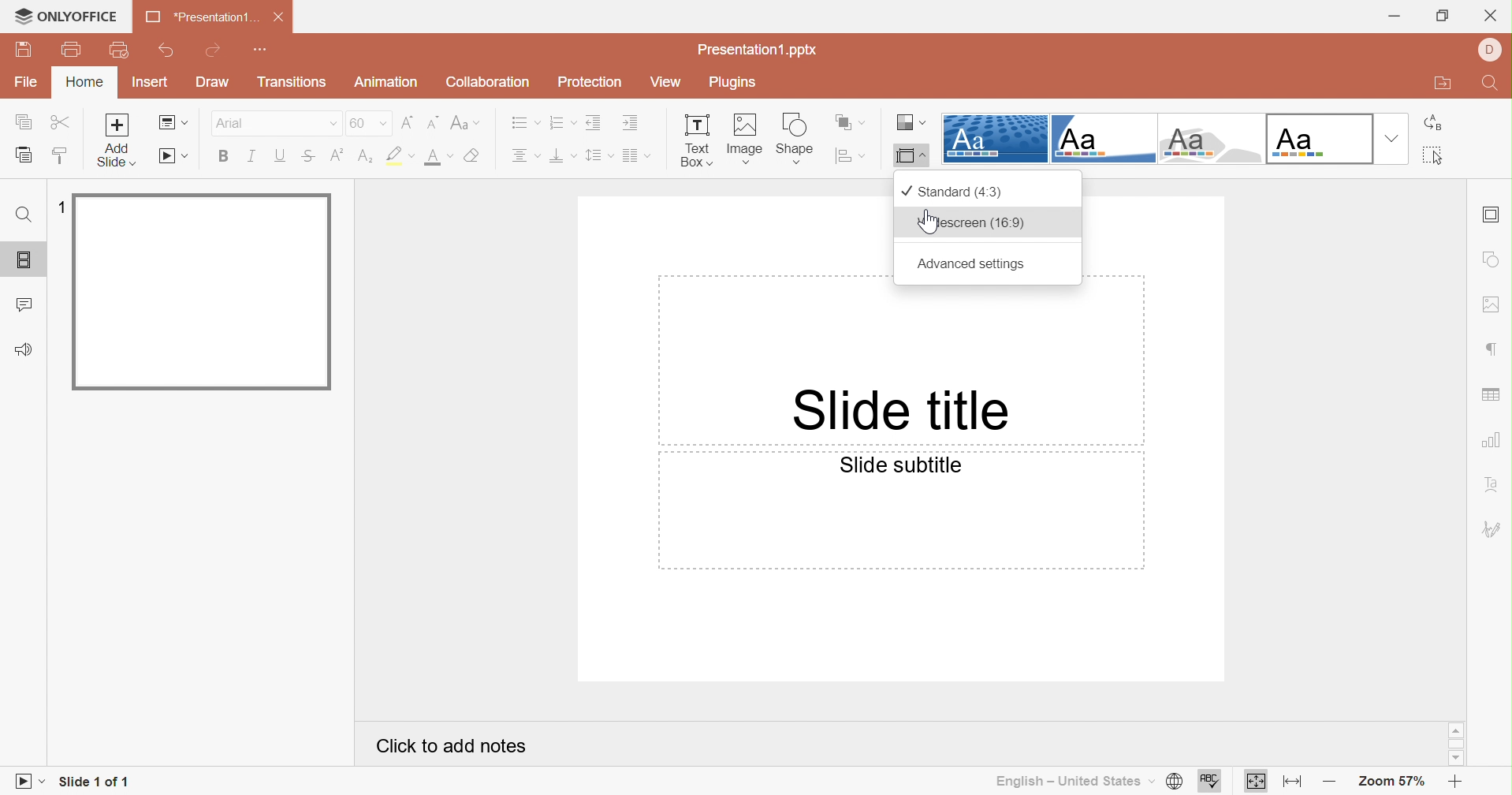 This screenshot has width=1512, height=795. What do you see at coordinates (1494, 84) in the screenshot?
I see `Find` at bounding box center [1494, 84].